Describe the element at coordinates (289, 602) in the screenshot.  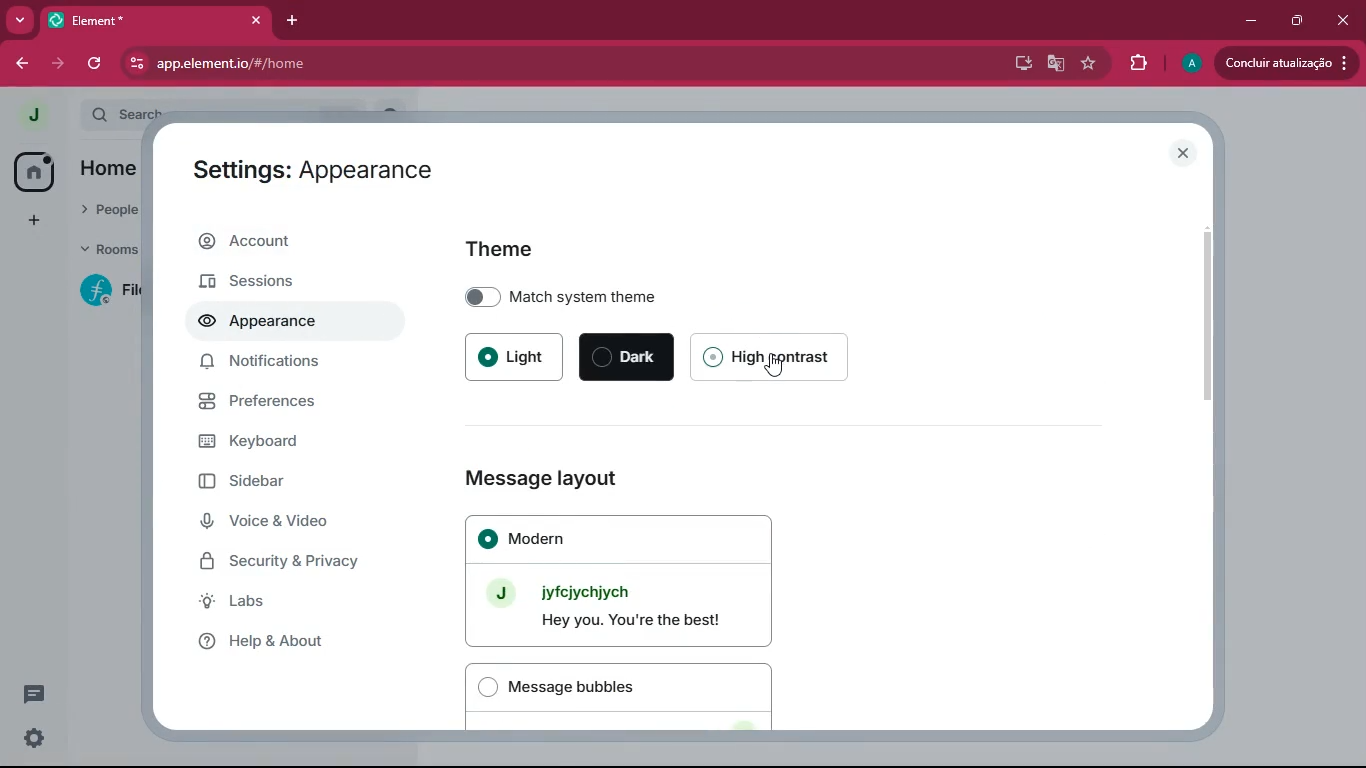
I see `labs` at that location.